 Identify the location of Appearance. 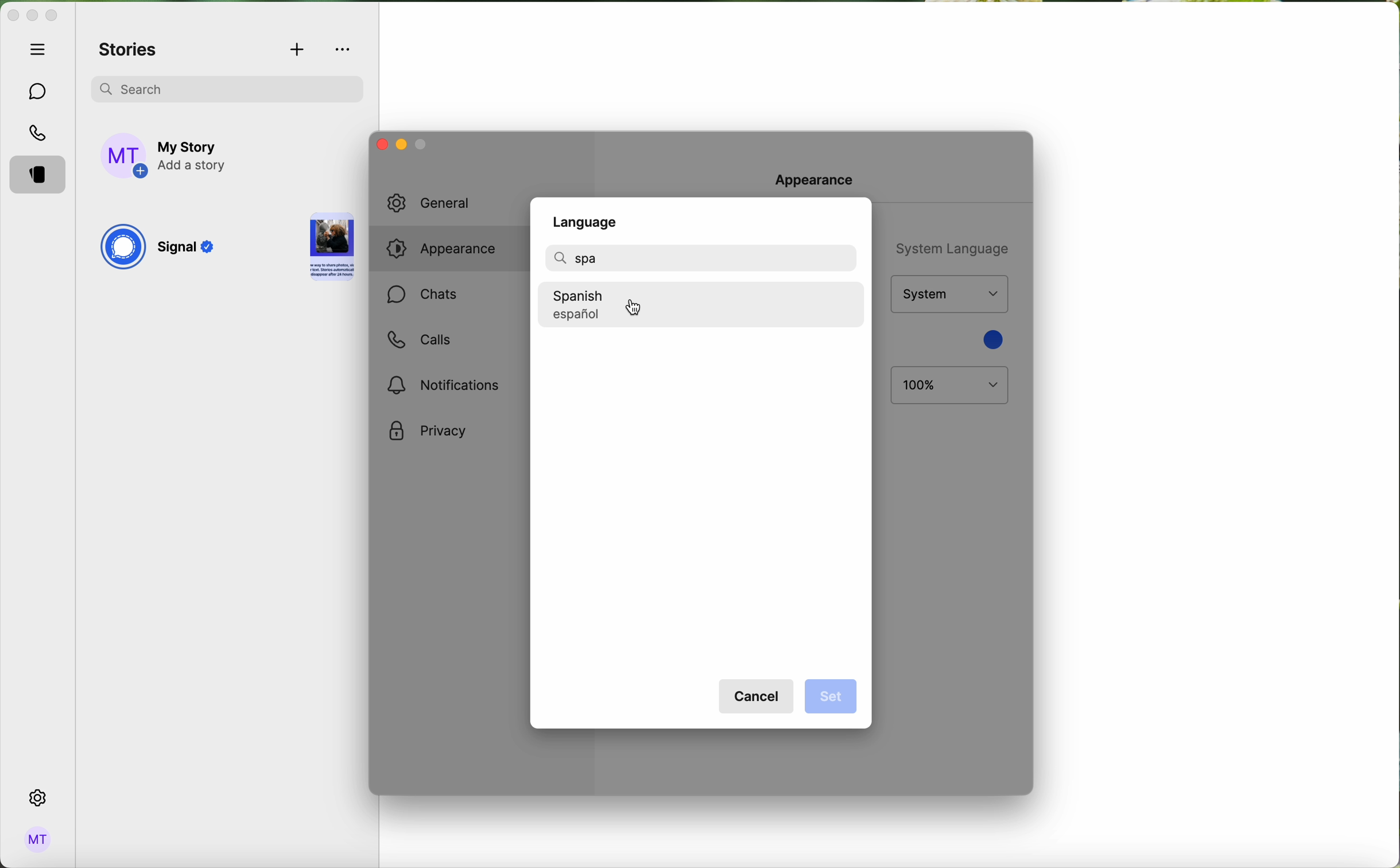
(820, 178).